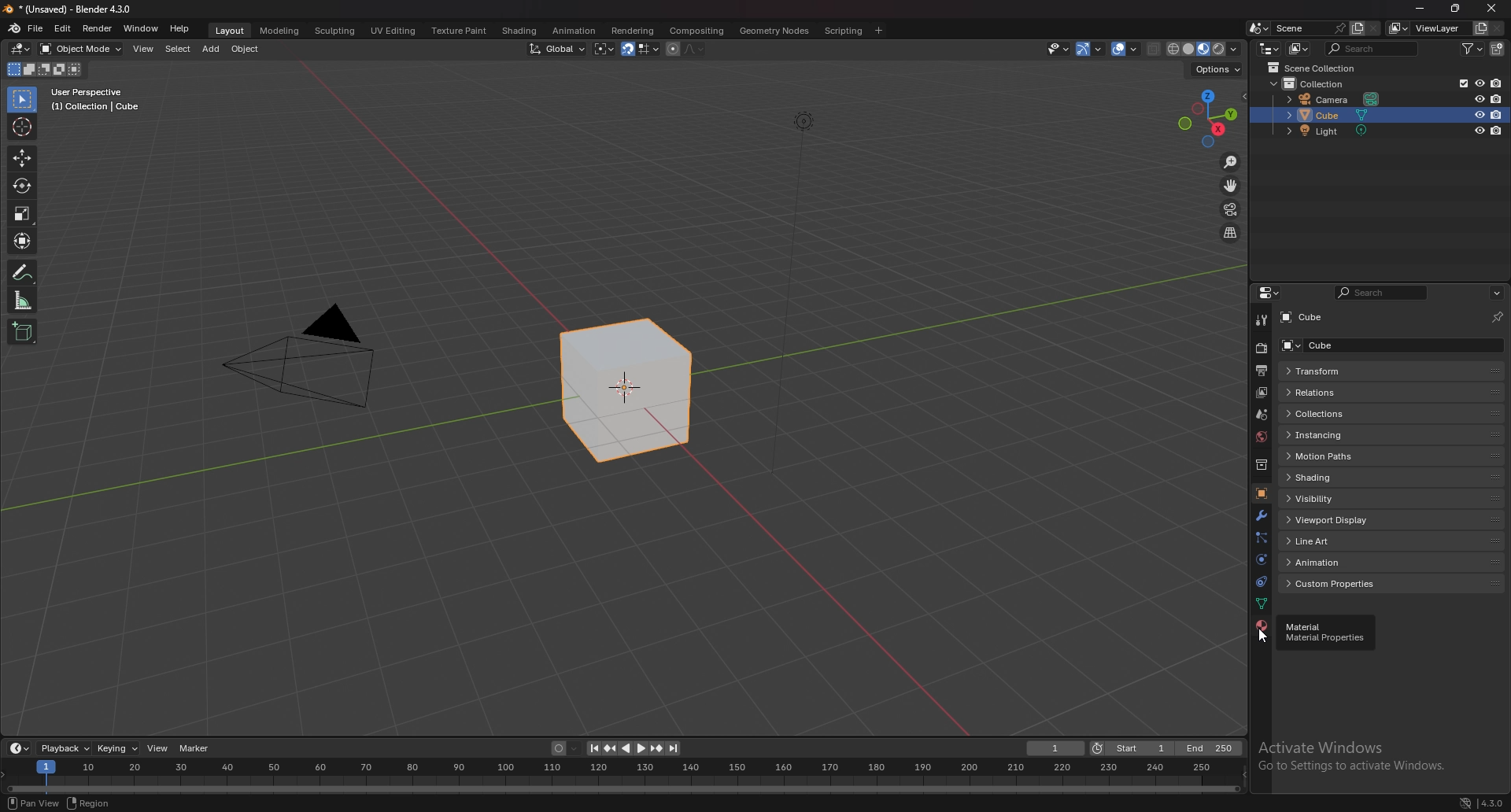 The image size is (1511, 812). I want to click on options, so click(1215, 69).